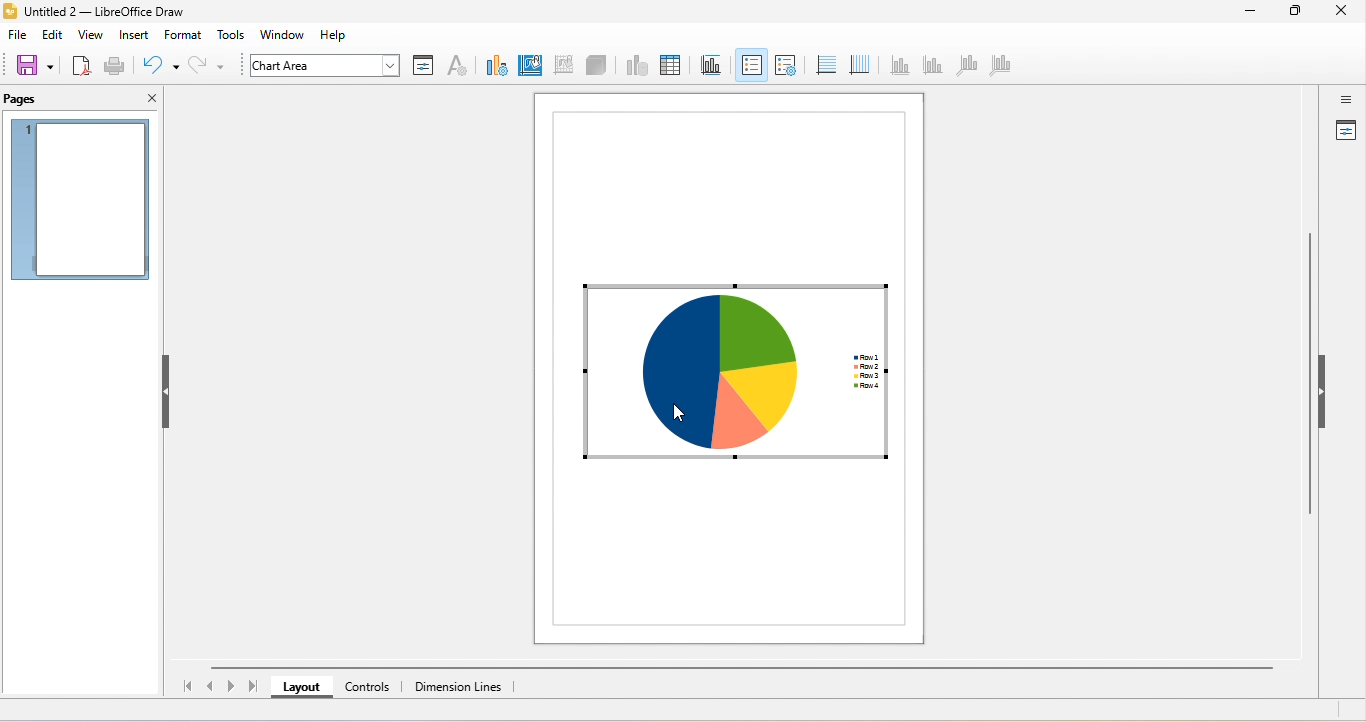  I want to click on character, so click(457, 67).